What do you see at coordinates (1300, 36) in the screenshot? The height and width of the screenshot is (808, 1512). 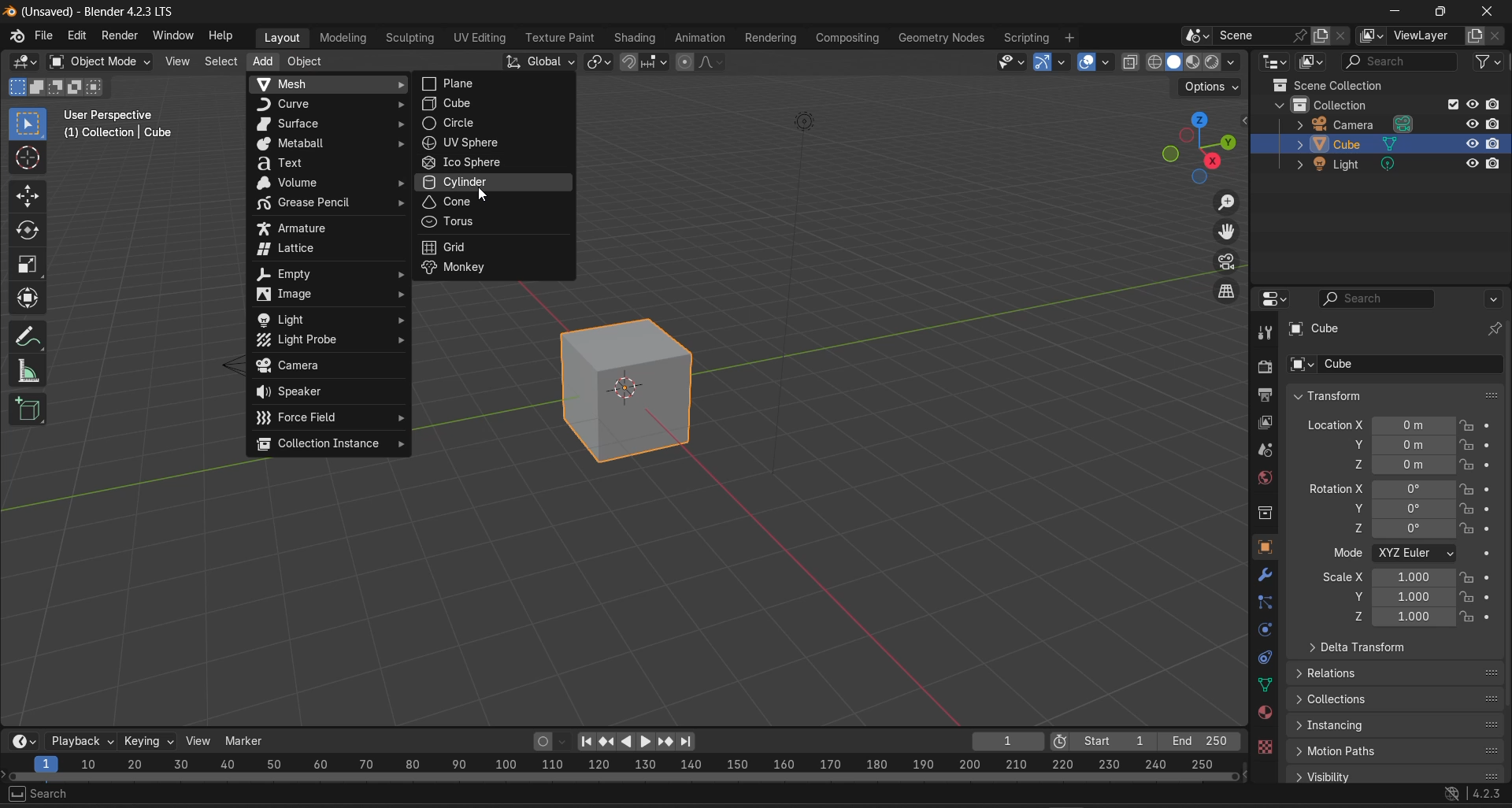 I see `pin scene to workspace` at bounding box center [1300, 36].